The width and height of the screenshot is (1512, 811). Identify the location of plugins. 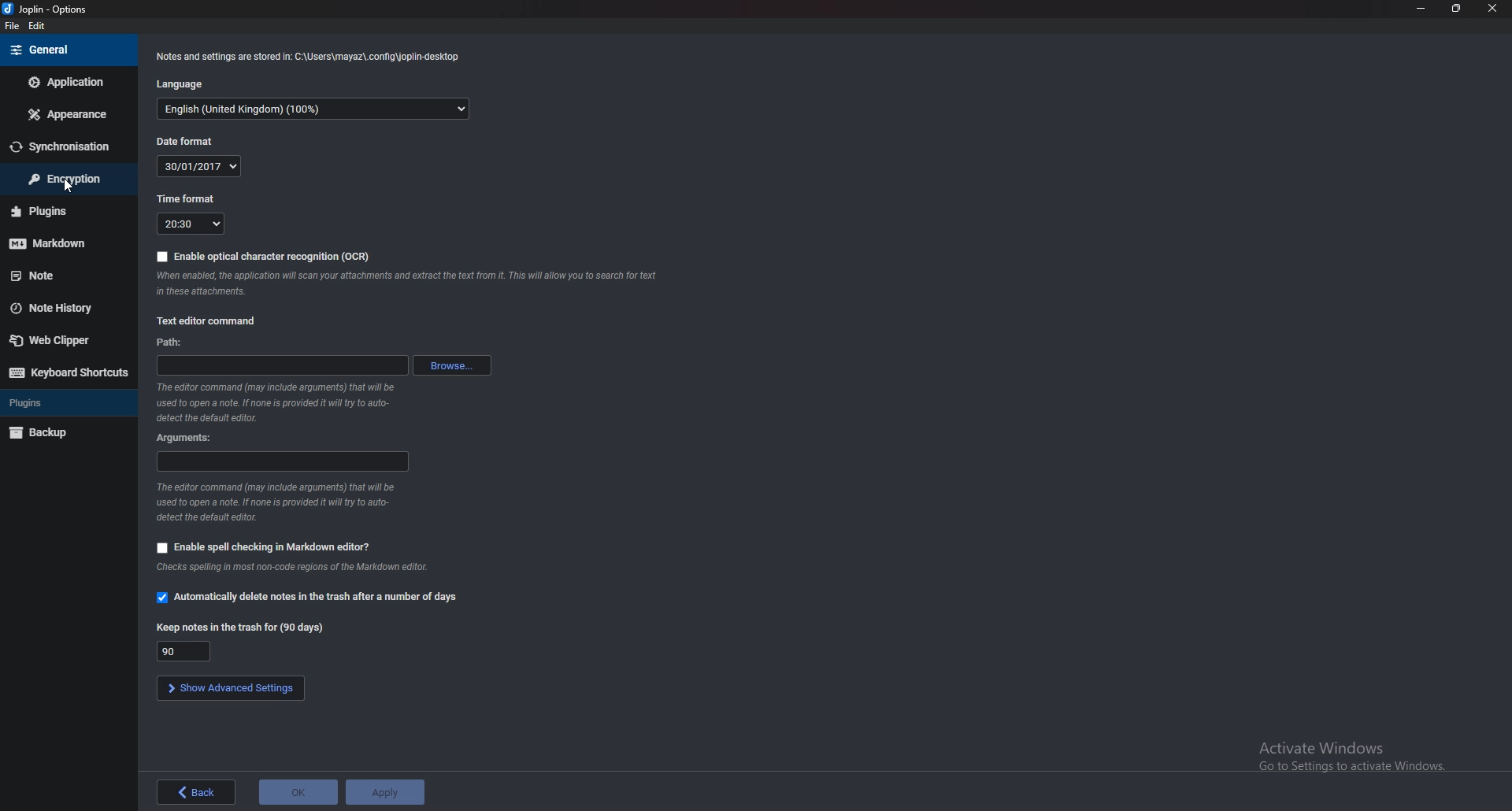
(61, 211).